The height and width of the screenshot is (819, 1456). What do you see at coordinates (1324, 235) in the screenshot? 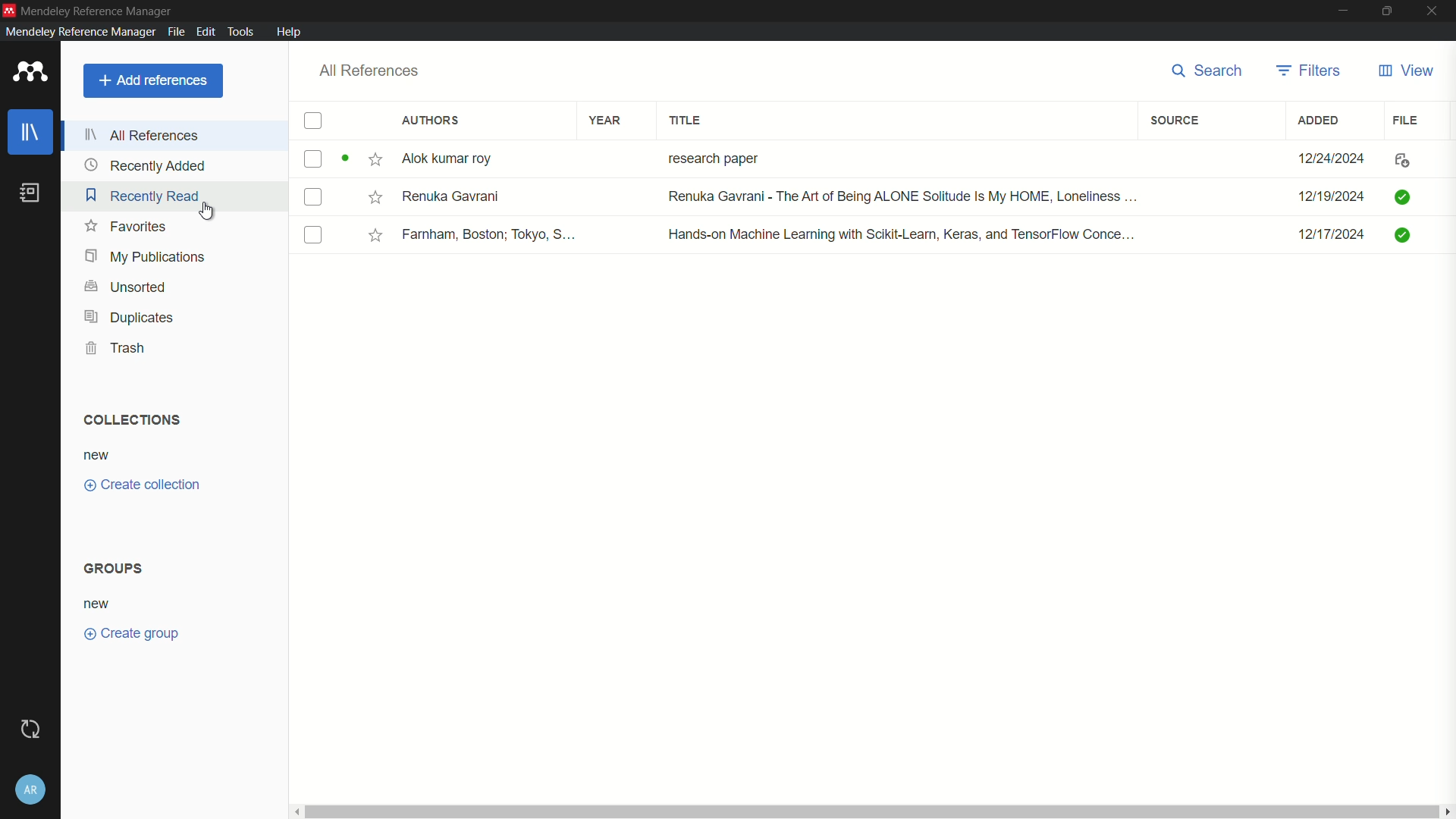
I see `12/17/2024` at bounding box center [1324, 235].